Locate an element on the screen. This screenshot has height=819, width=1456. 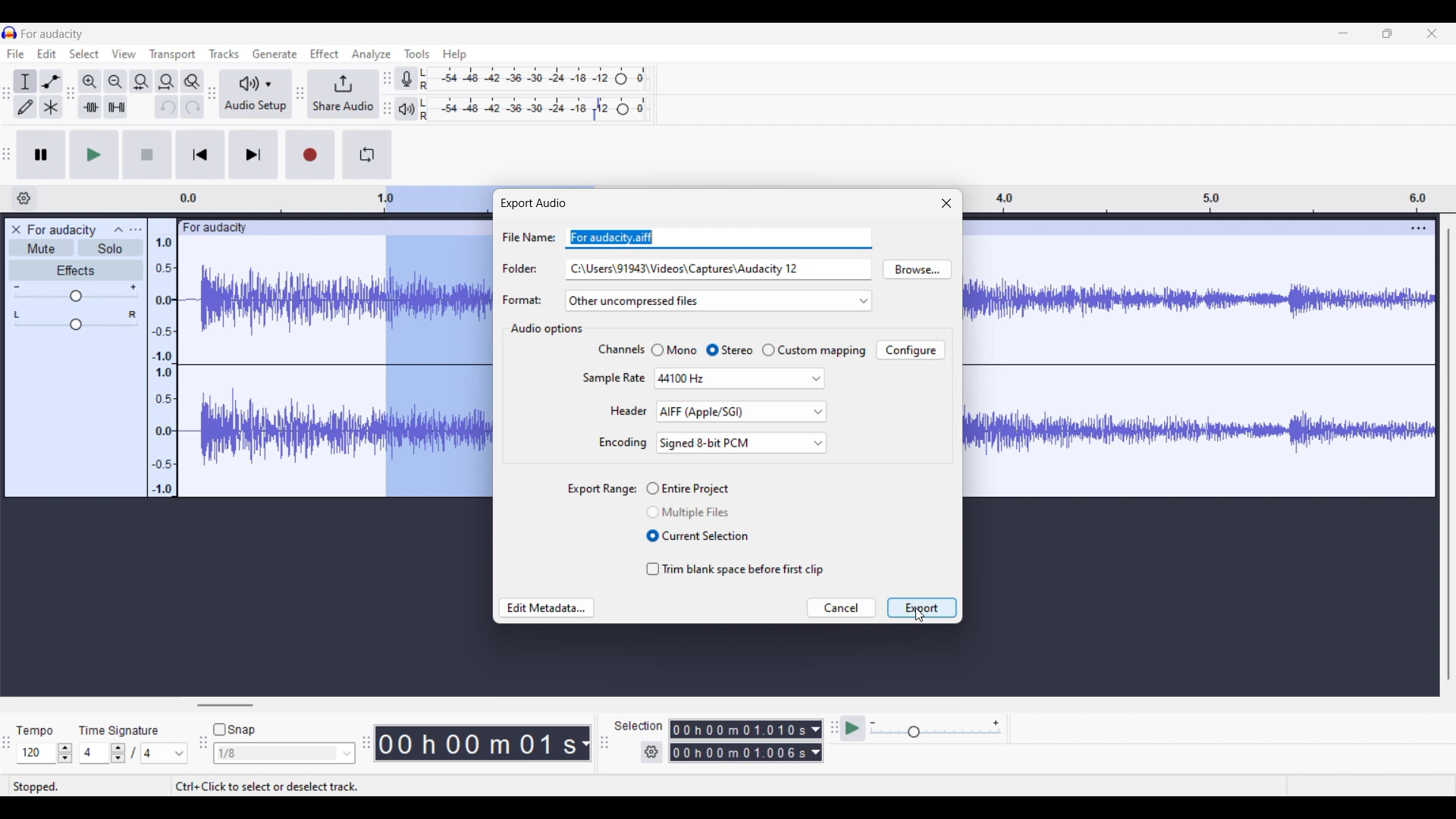
0 0 h 0 0 m 0 0 0 0 0 s     0 0 h 02 m 1 3 0 6 8 s is located at coordinates (739, 741).